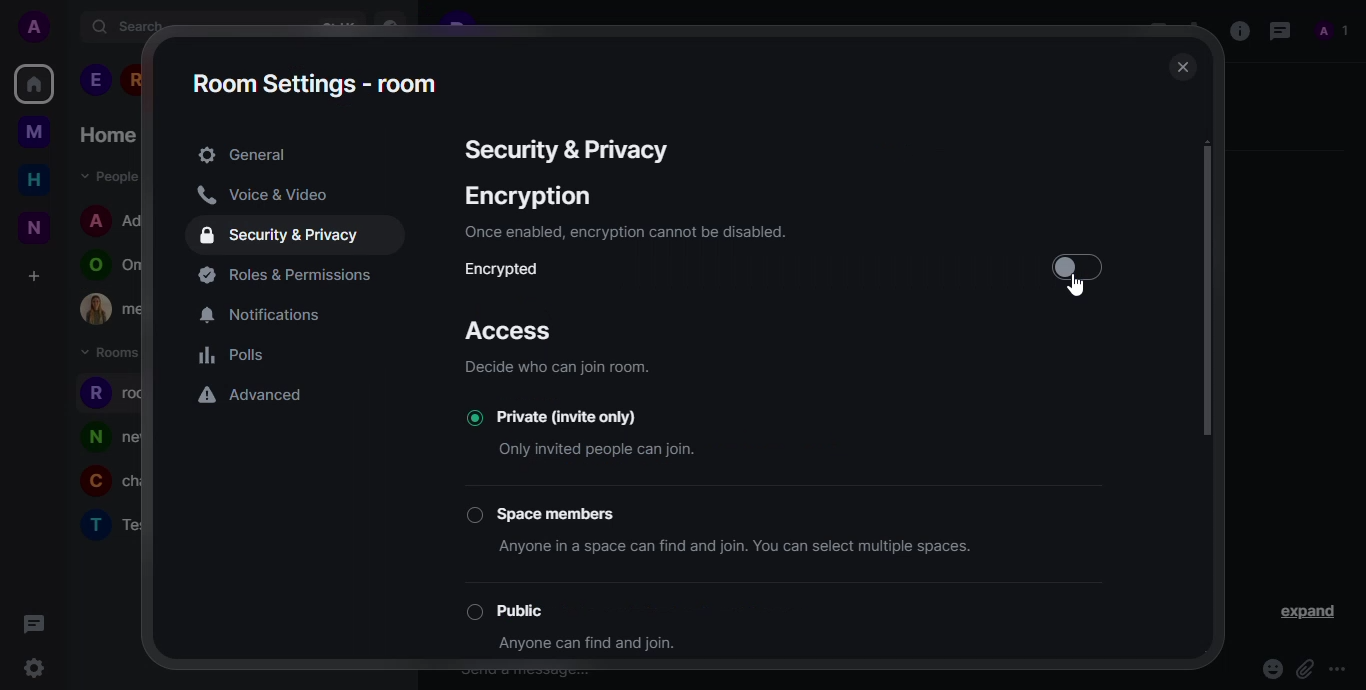 This screenshot has width=1366, height=690. Describe the element at coordinates (533, 609) in the screenshot. I see `public` at that location.